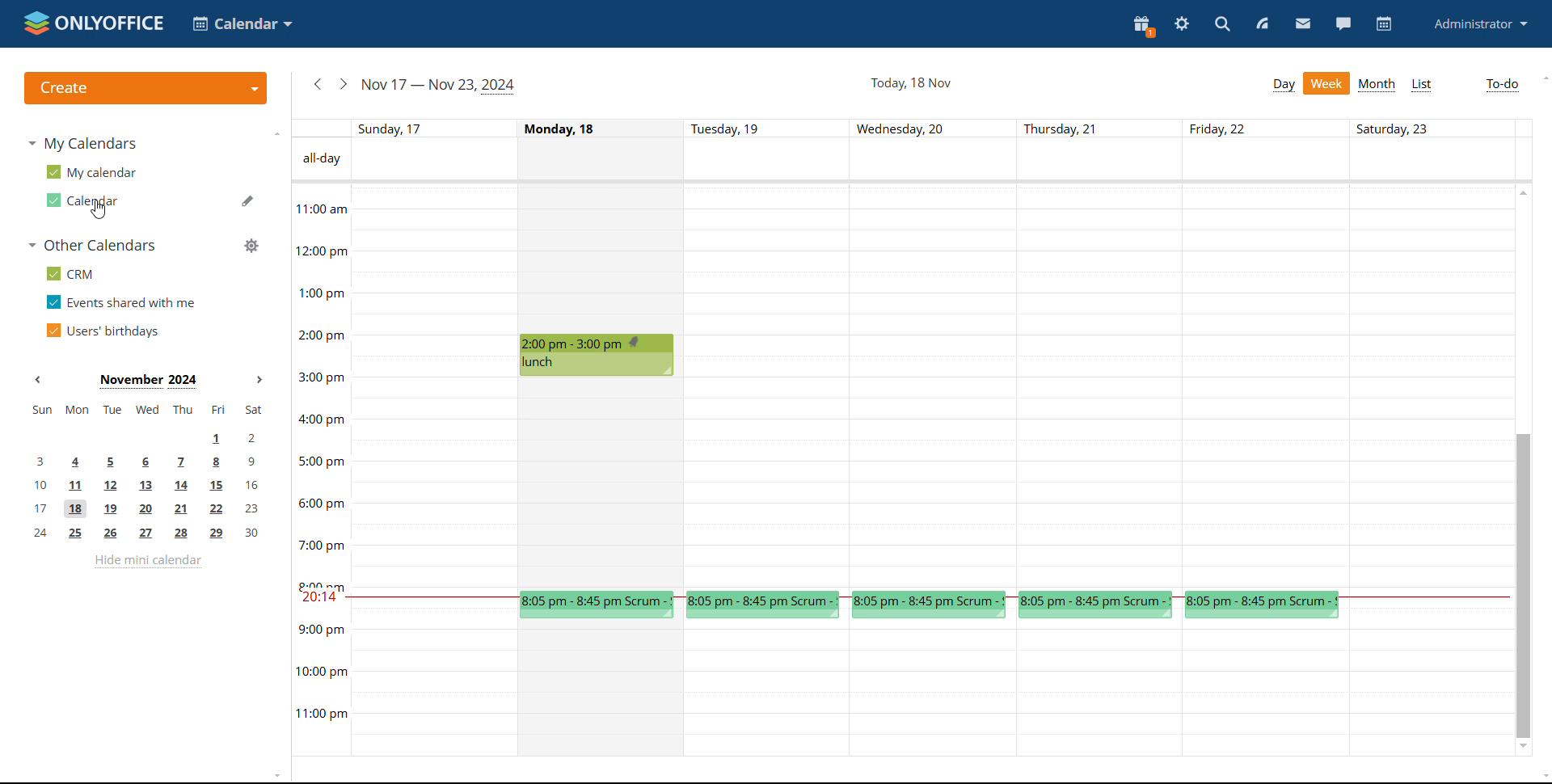 This screenshot has width=1552, height=784. Describe the element at coordinates (1265, 386) in the screenshot. I see `friday` at that location.